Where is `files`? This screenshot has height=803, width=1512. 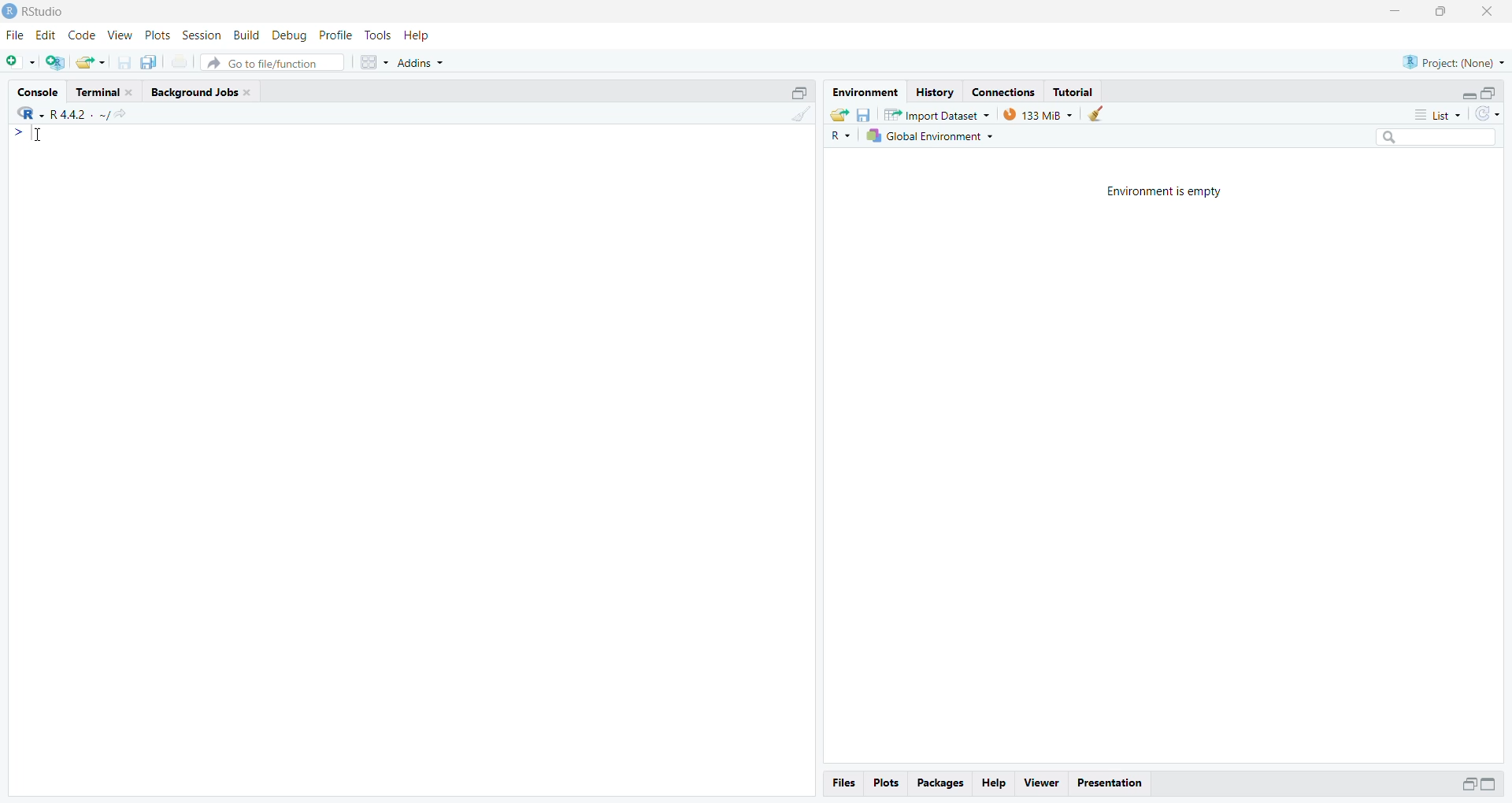
files is located at coordinates (844, 784).